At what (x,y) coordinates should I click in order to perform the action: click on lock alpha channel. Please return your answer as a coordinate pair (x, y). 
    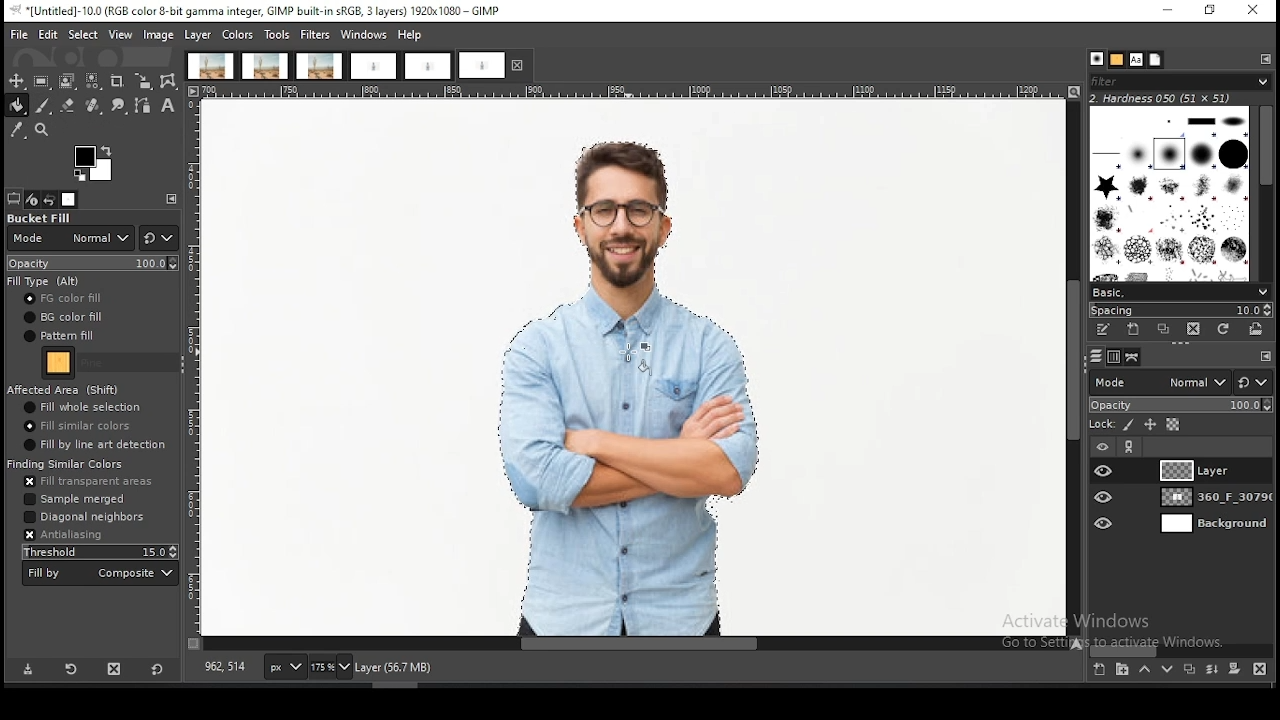
    Looking at the image, I should click on (1173, 425).